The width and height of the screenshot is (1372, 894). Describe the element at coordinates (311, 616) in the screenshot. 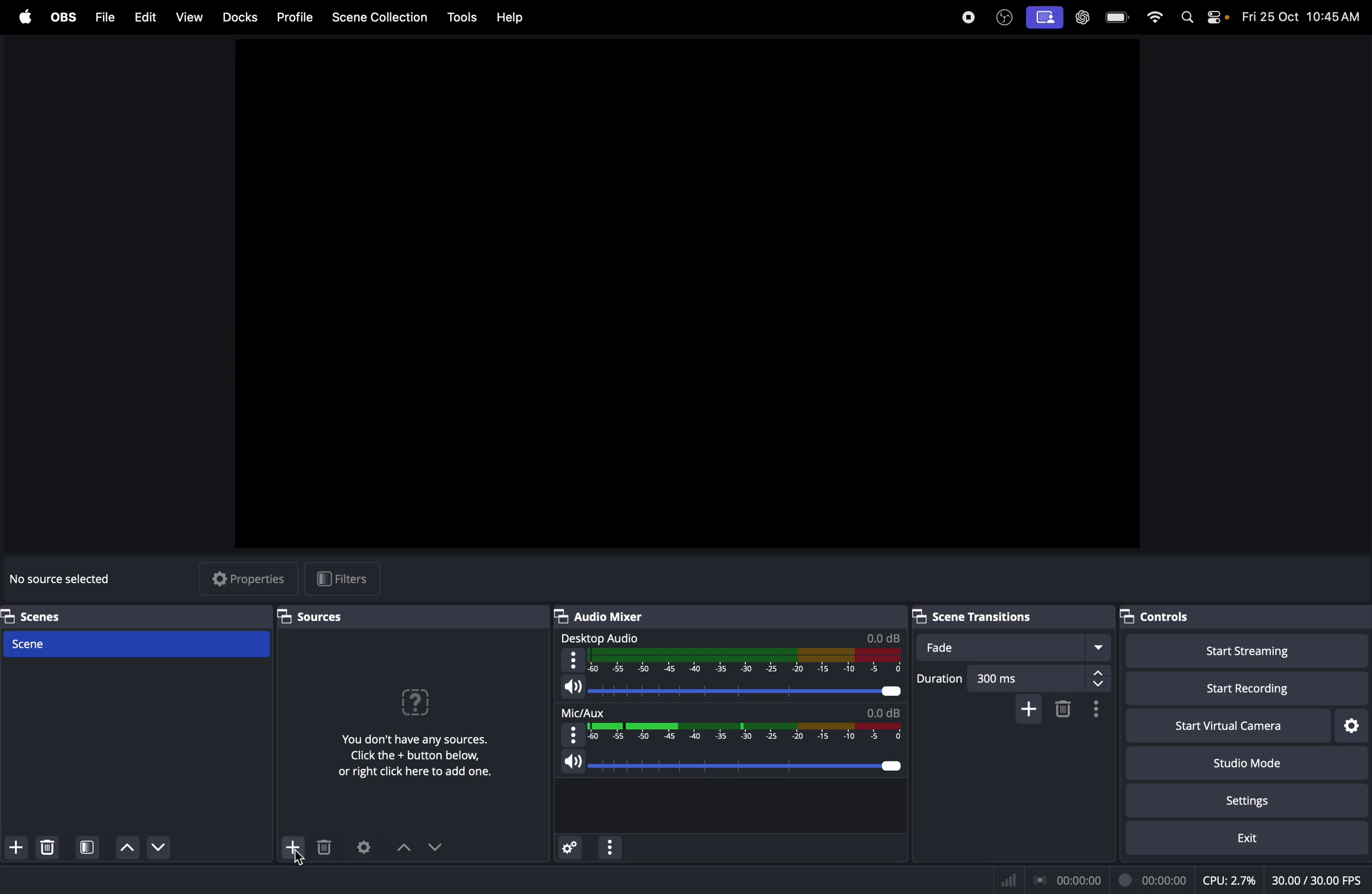

I see `Sources` at that location.